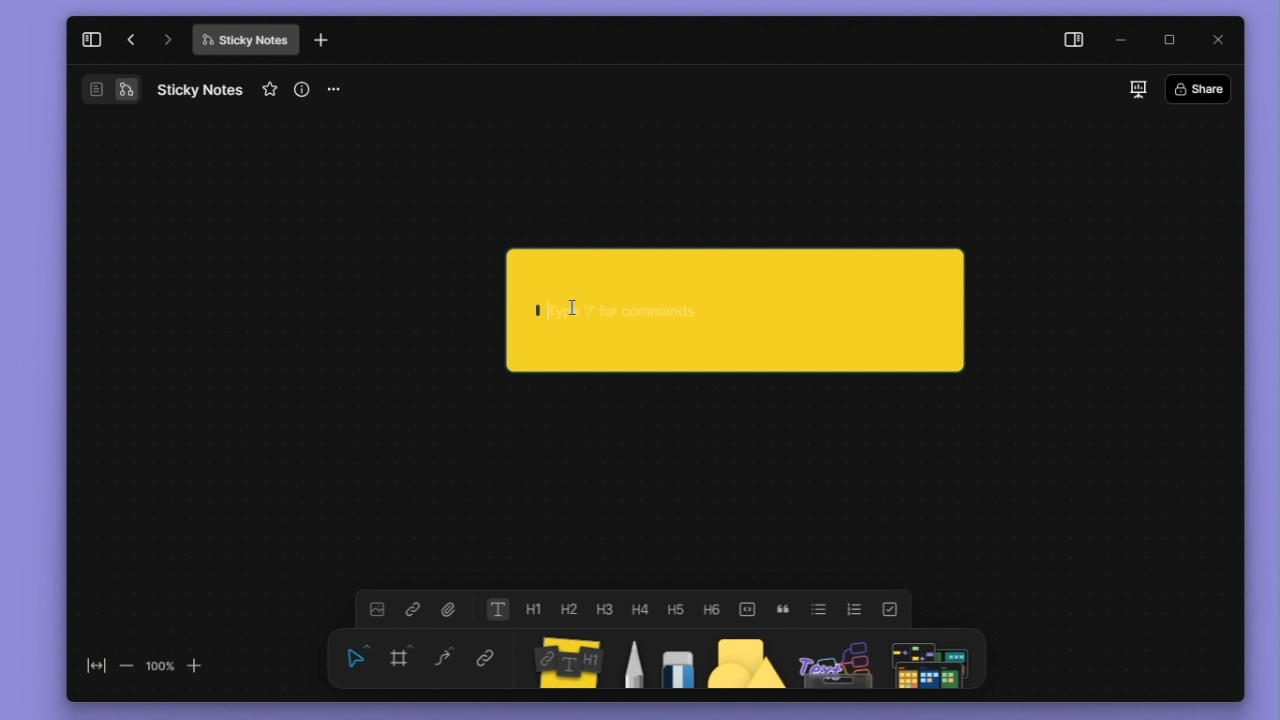 Image resolution: width=1280 pixels, height=720 pixels. What do you see at coordinates (451, 611) in the screenshot?
I see `attachment` at bounding box center [451, 611].